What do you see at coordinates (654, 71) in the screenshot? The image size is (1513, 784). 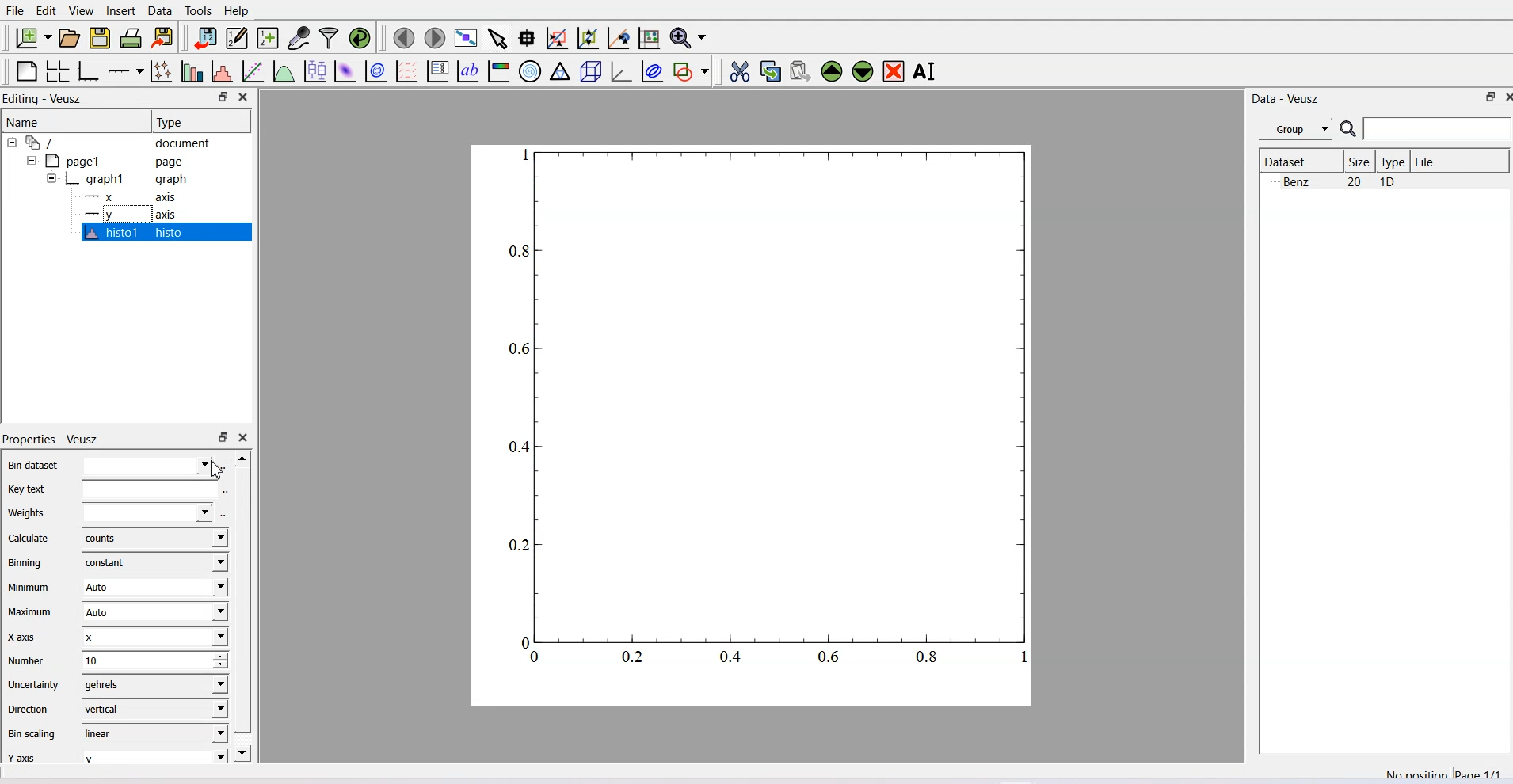 I see `Plot Covariance ellipses` at bounding box center [654, 71].